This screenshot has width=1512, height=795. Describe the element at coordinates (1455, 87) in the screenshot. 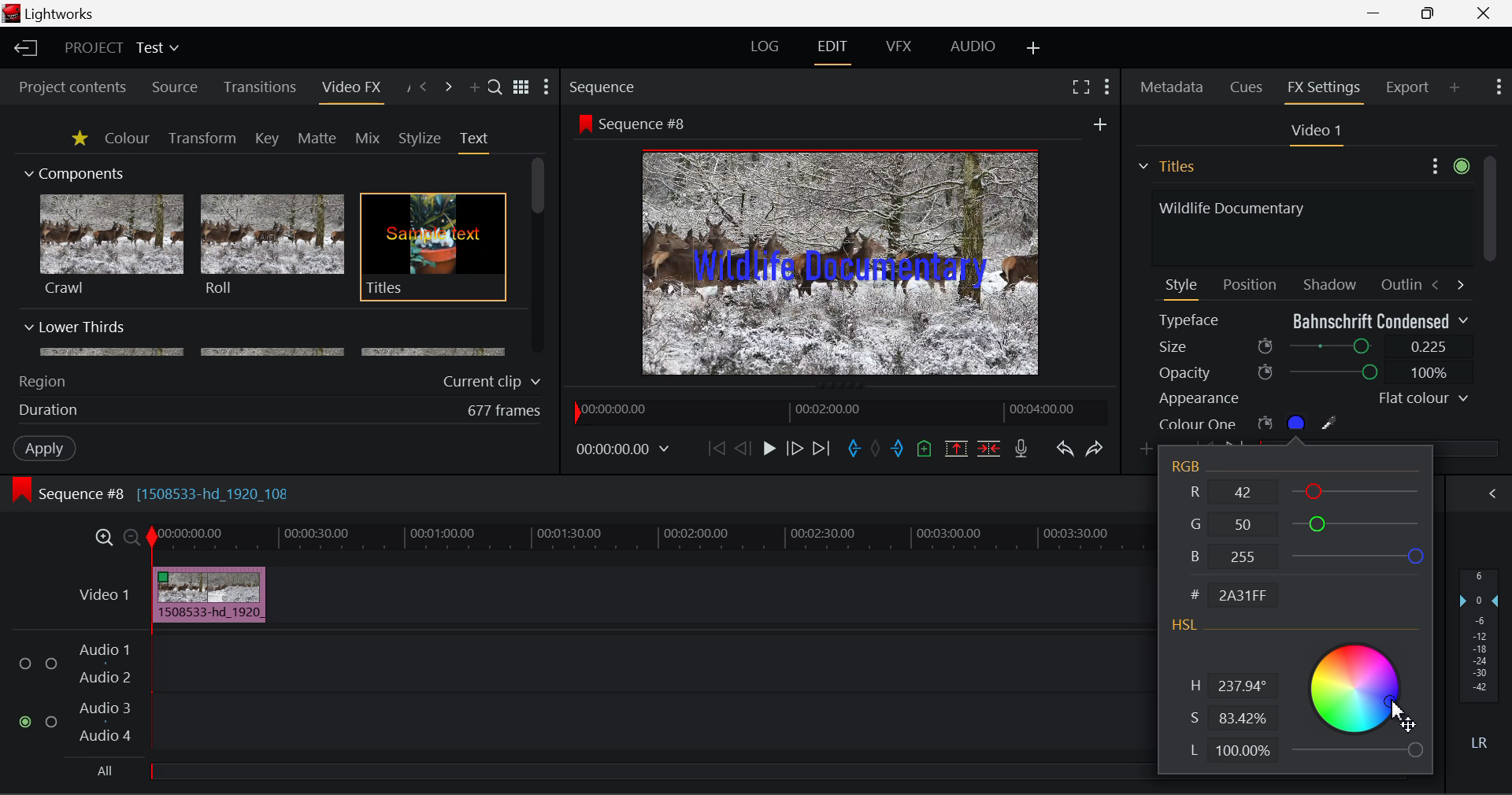

I see `Add Panel` at that location.